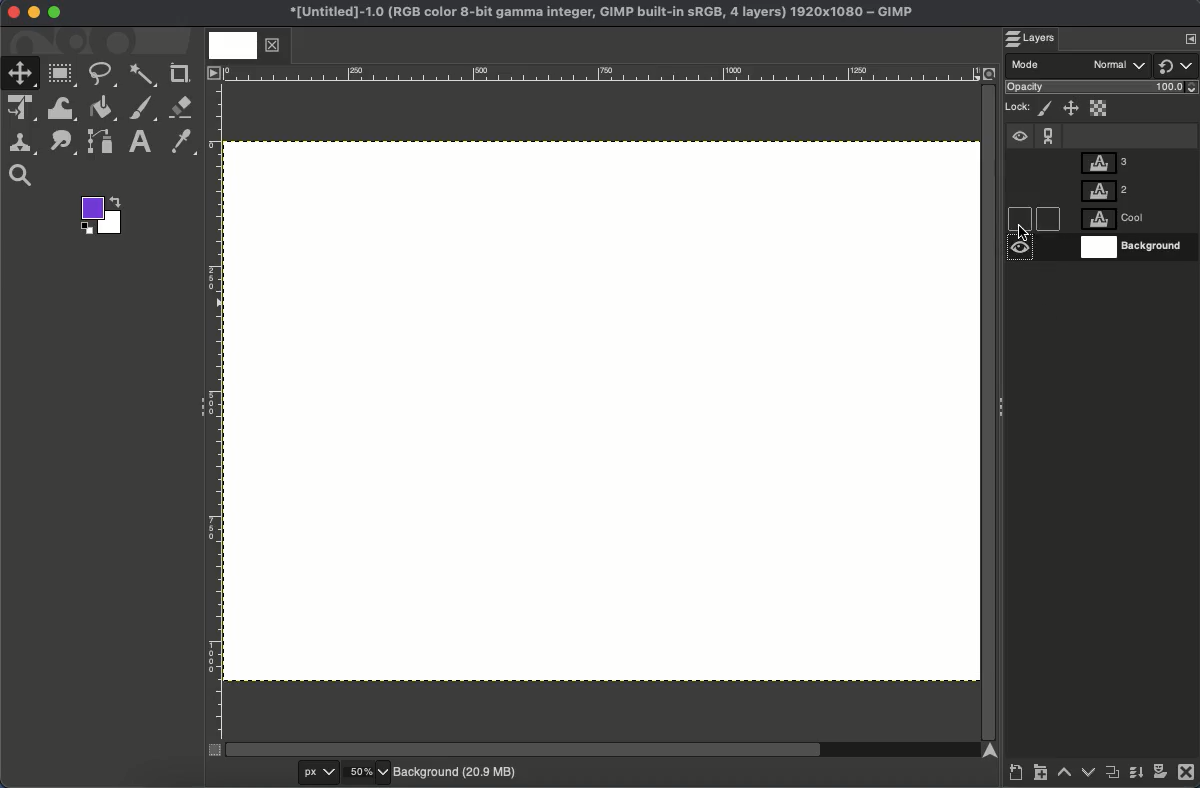  I want to click on Ruler, so click(601, 73).